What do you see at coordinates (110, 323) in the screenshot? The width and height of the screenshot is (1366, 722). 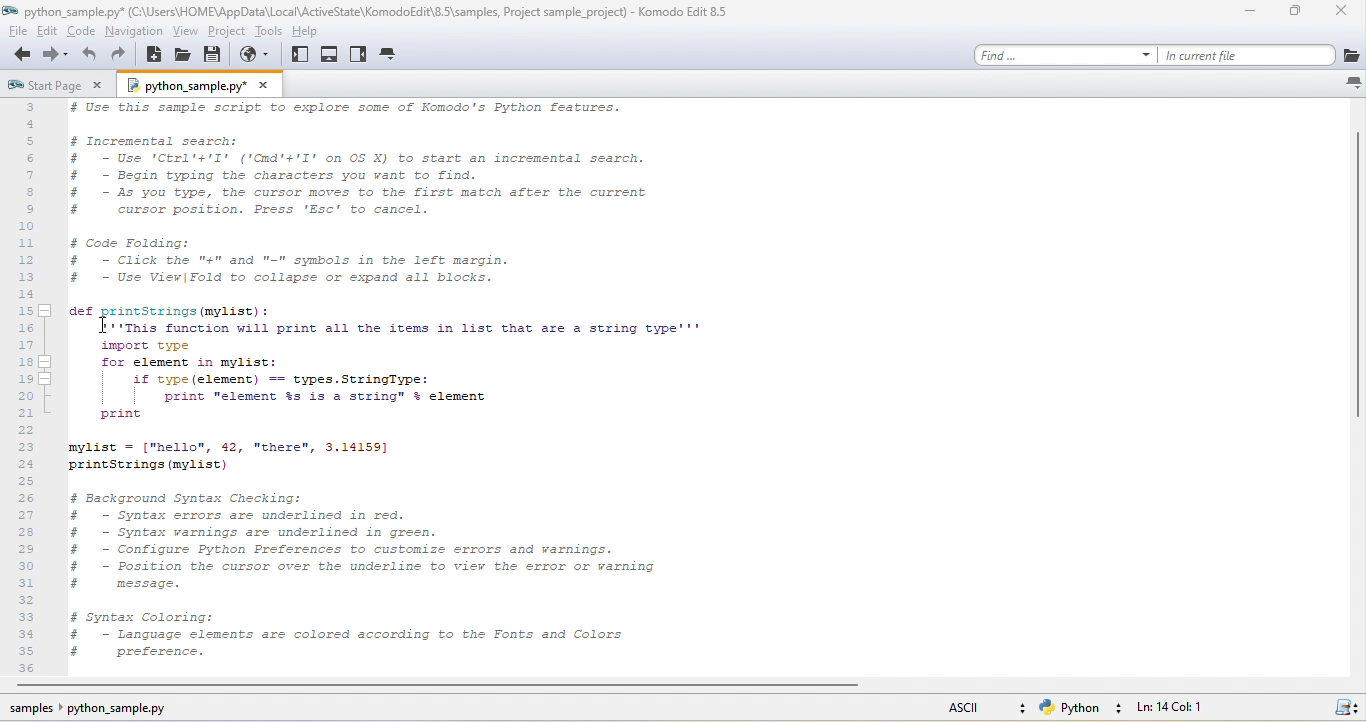 I see `cursor` at bounding box center [110, 323].